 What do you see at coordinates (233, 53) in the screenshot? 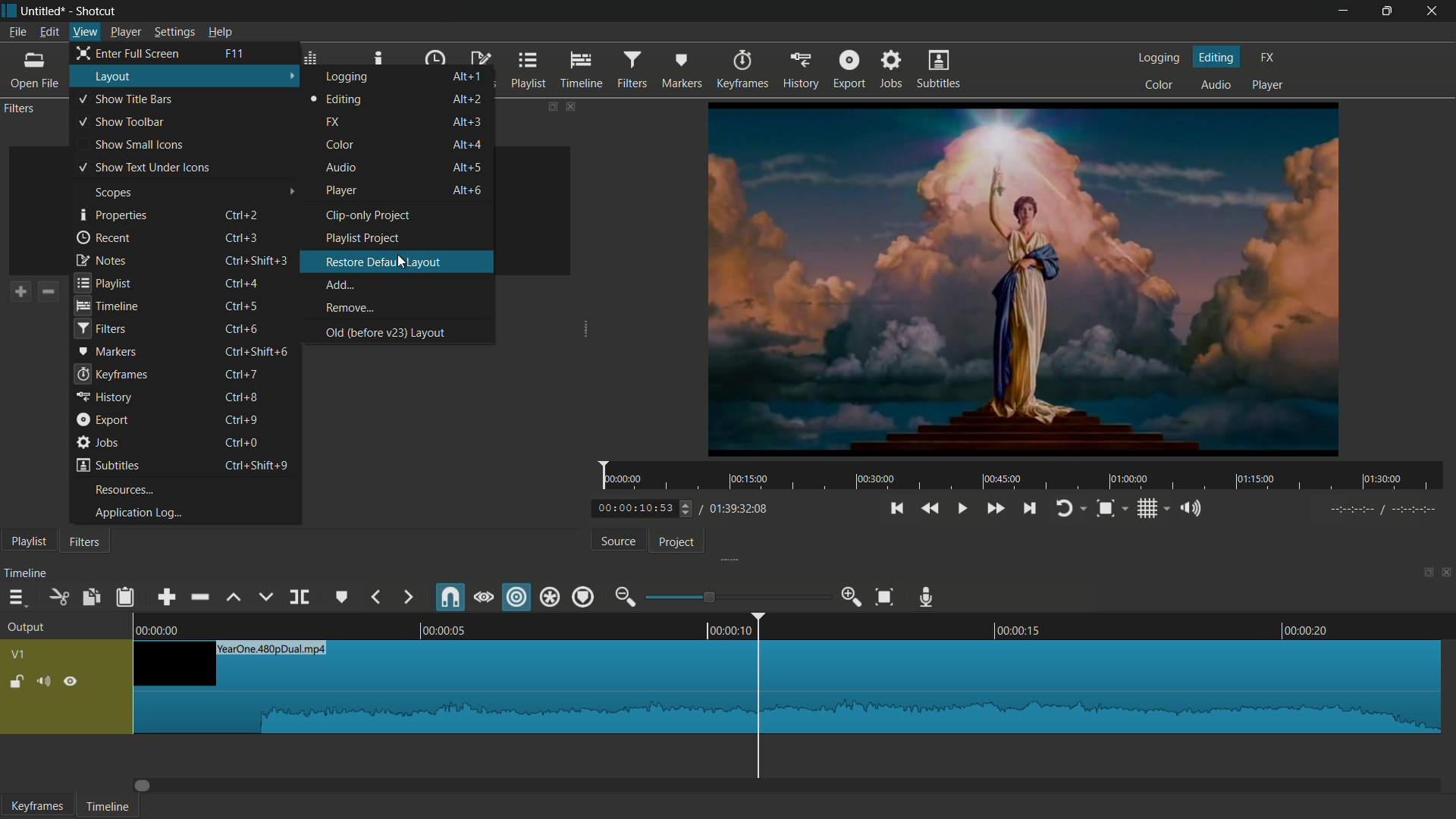
I see `keyboard shortcut` at bounding box center [233, 53].